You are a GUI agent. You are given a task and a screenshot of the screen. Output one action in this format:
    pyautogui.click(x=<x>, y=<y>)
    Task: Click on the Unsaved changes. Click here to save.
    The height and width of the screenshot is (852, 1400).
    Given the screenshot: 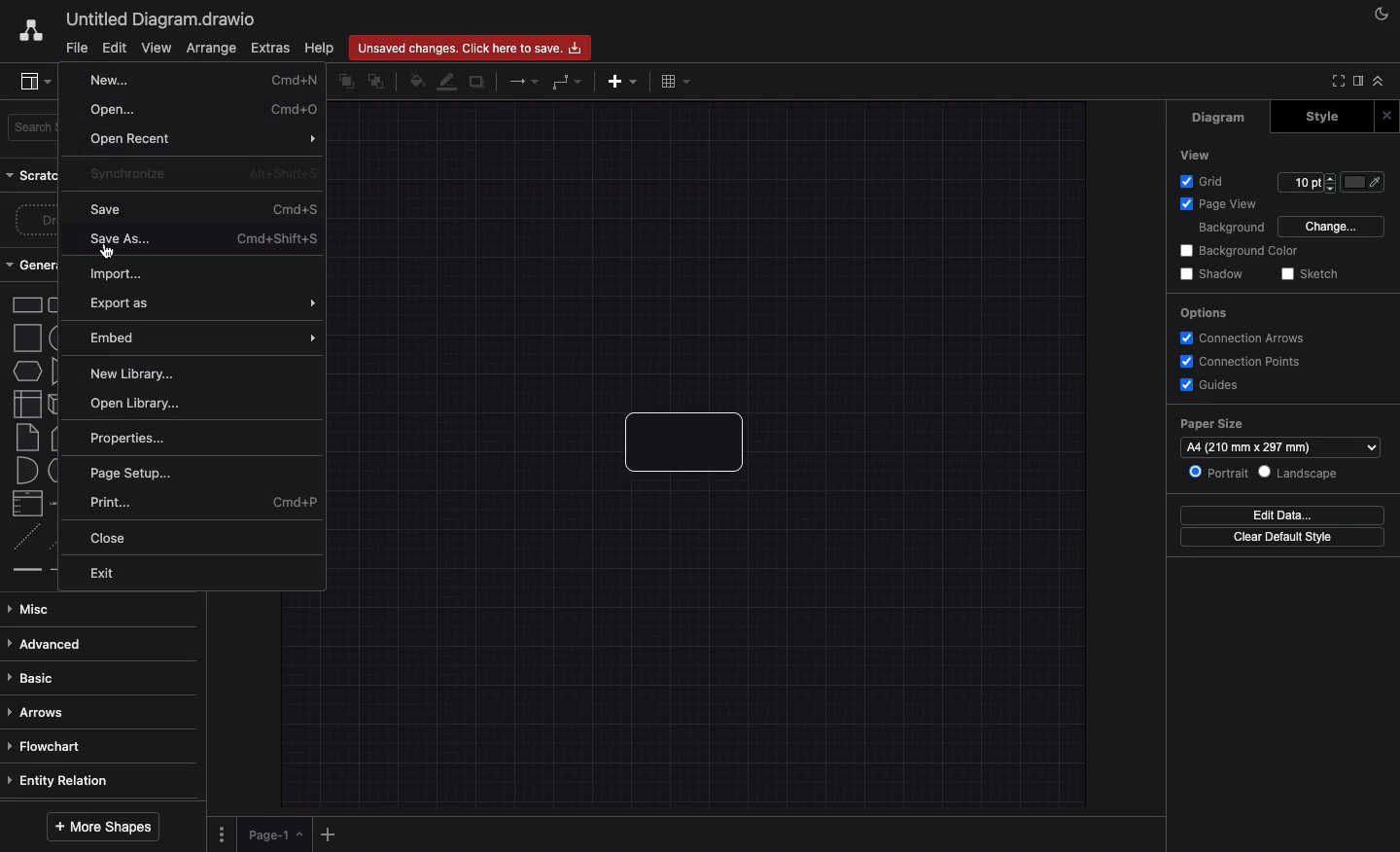 What is the action you would take?
    pyautogui.click(x=470, y=47)
    